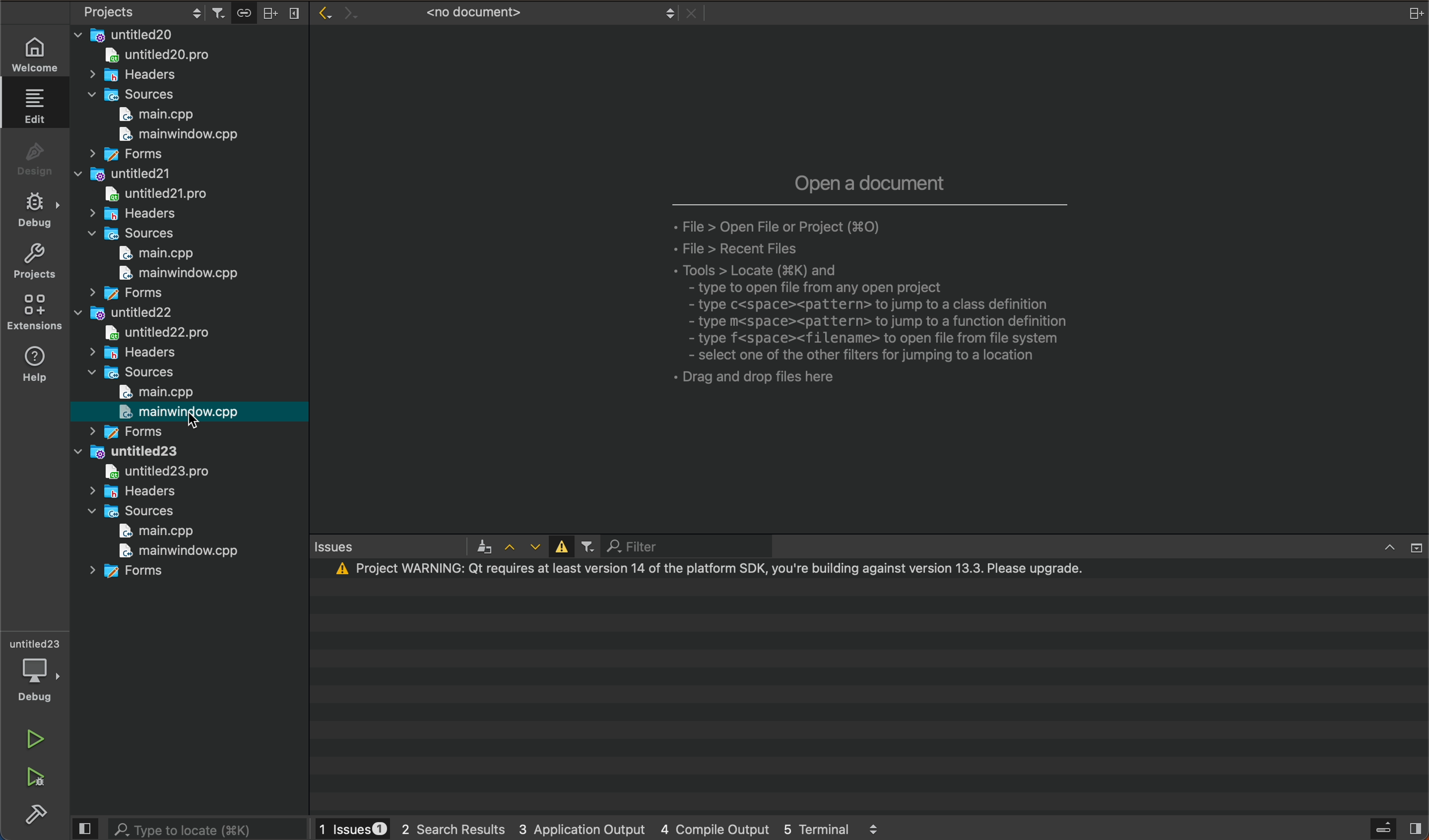 The width and height of the screenshot is (1429, 840). I want to click on close bar, so click(1393, 545).